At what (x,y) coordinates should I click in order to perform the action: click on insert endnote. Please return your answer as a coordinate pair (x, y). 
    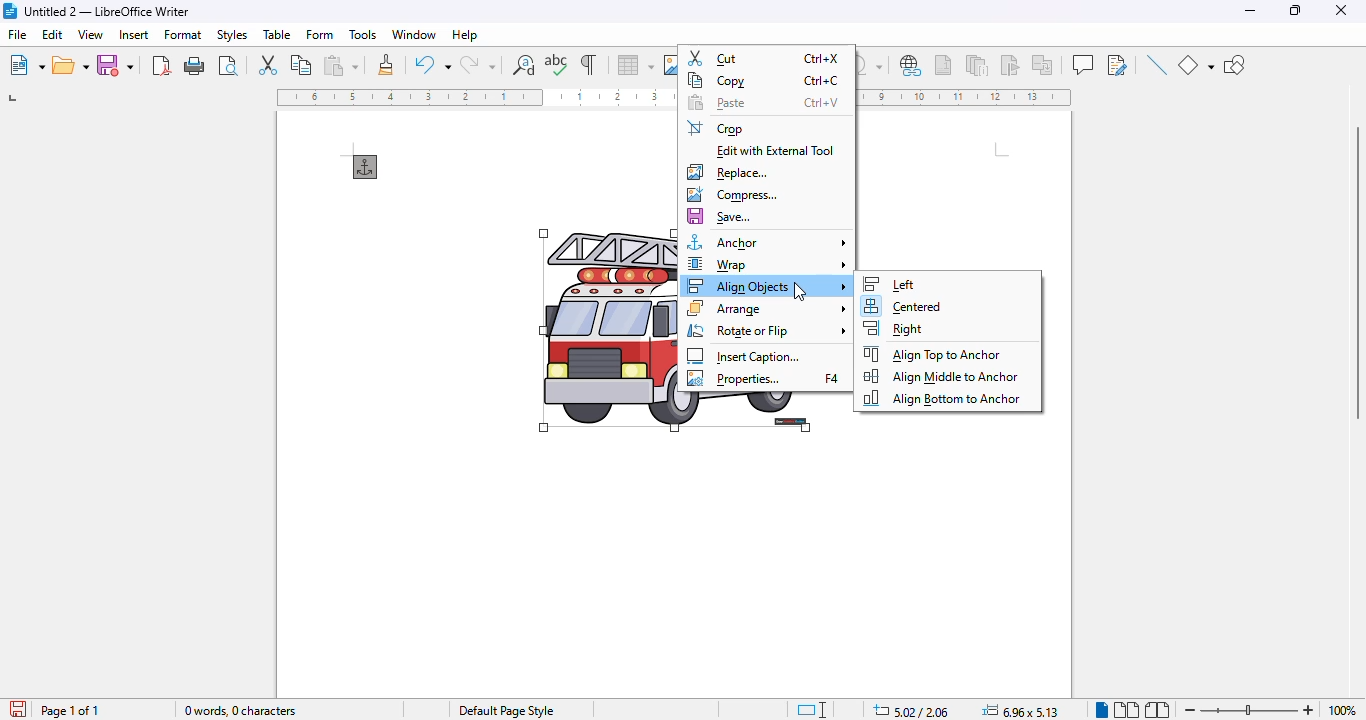
    Looking at the image, I should click on (978, 64).